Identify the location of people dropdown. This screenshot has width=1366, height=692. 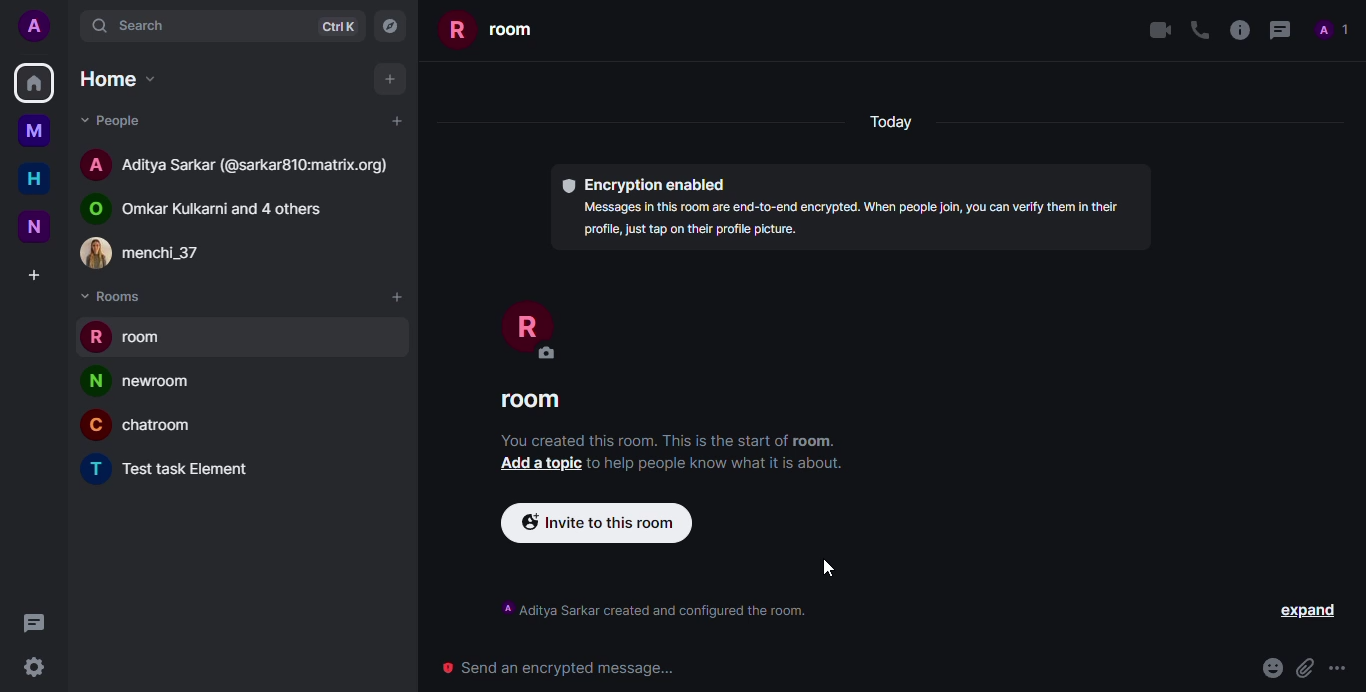
(121, 120).